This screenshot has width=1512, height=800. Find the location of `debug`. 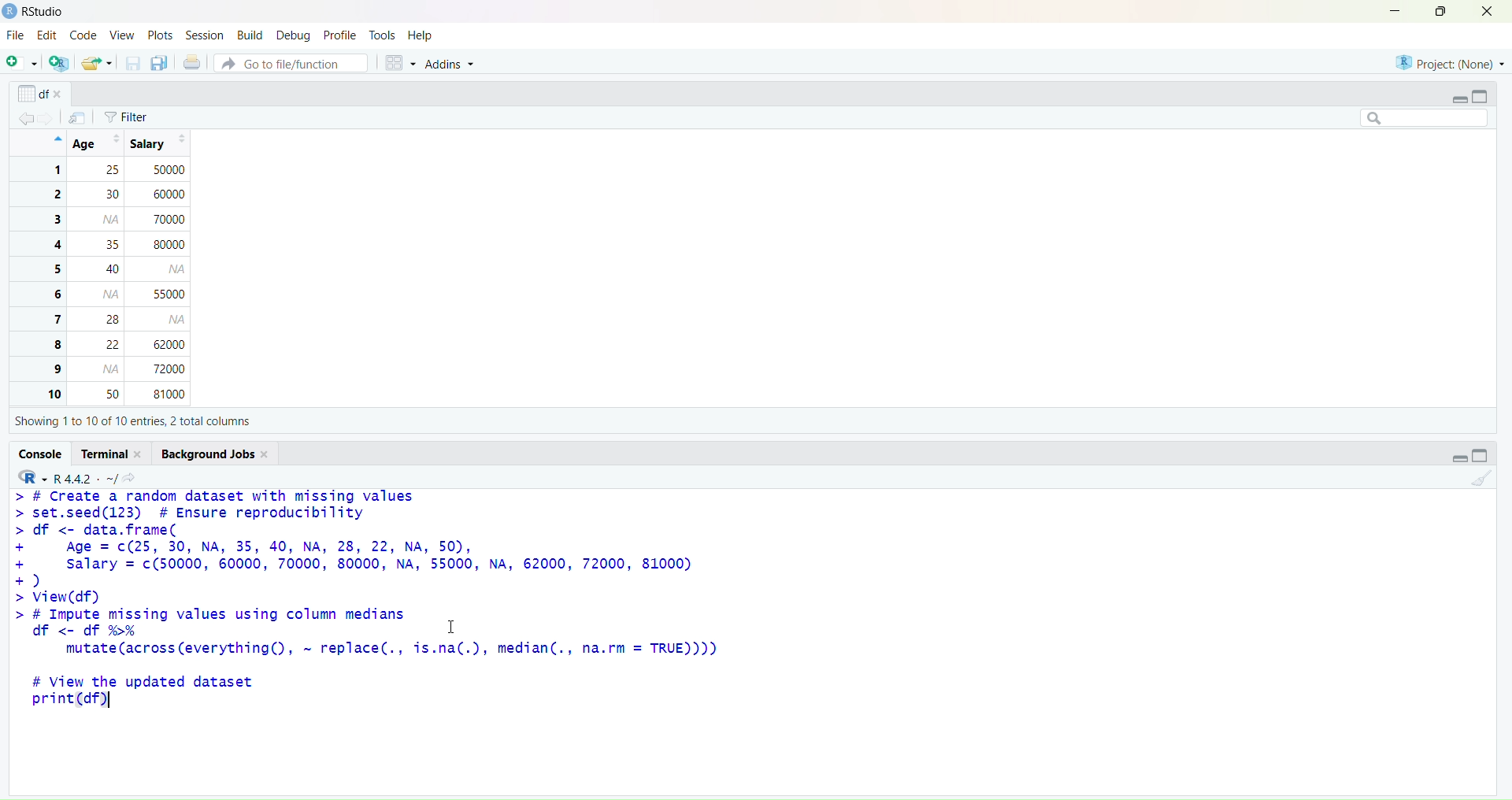

debug is located at coordinates (291, 36).